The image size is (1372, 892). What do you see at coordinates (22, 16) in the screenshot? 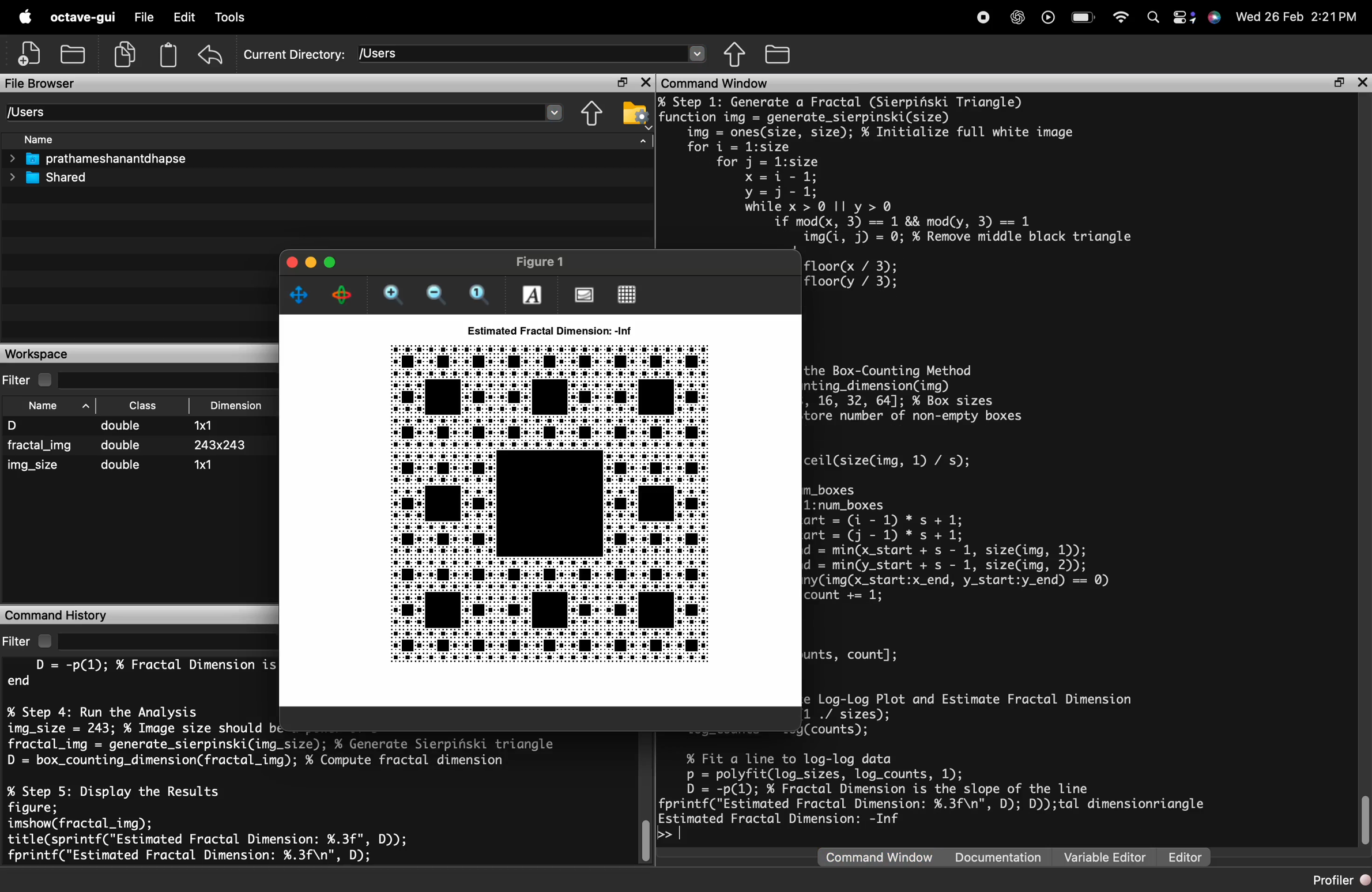
I see `logo` at bounding box center [22, 16].